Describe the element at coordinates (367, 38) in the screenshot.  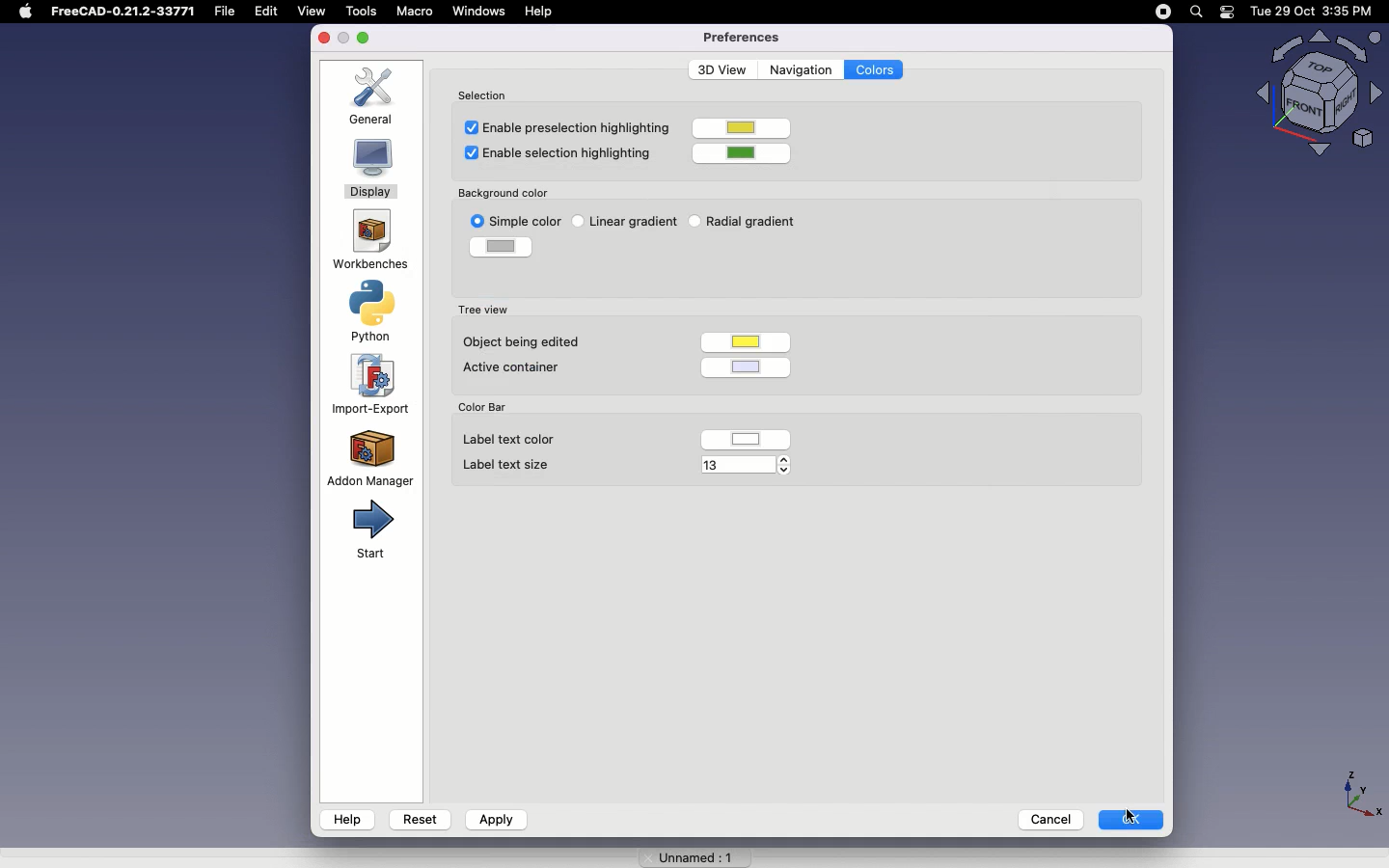
I see `maximise` at that location.